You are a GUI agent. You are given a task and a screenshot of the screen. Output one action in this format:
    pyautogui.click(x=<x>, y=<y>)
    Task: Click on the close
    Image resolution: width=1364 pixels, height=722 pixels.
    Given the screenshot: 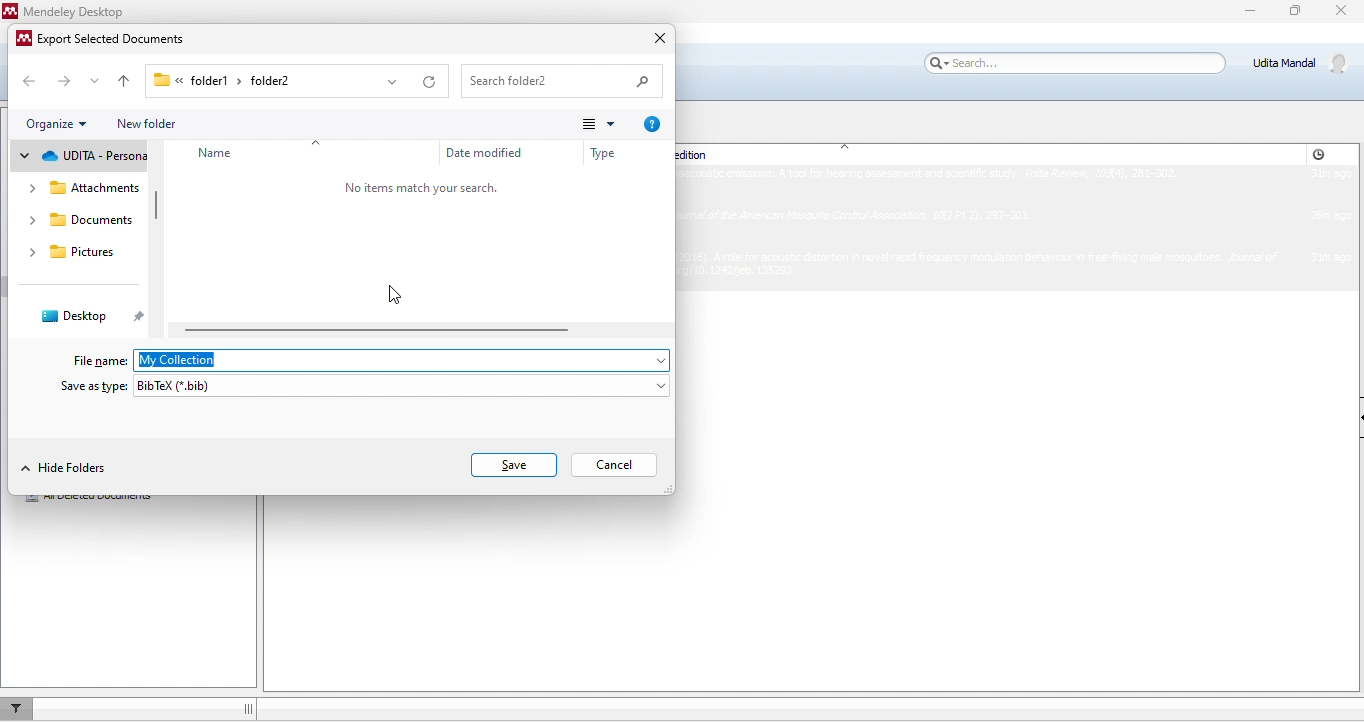 What is the action you would take?
    pyautogui.click(x=651, y=38)
    